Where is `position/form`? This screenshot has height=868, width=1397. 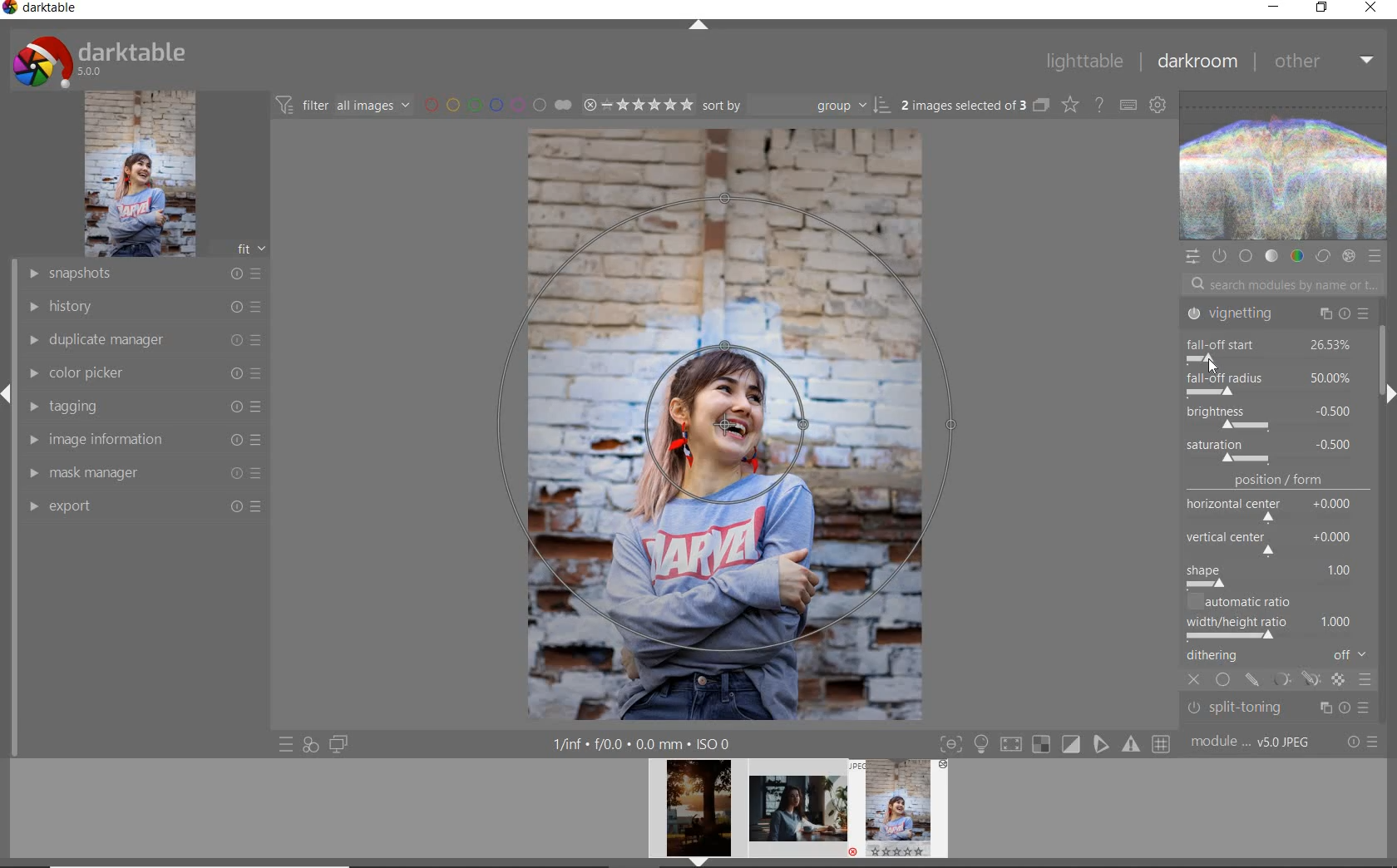 position/form is located at coordinates (1279, 531).